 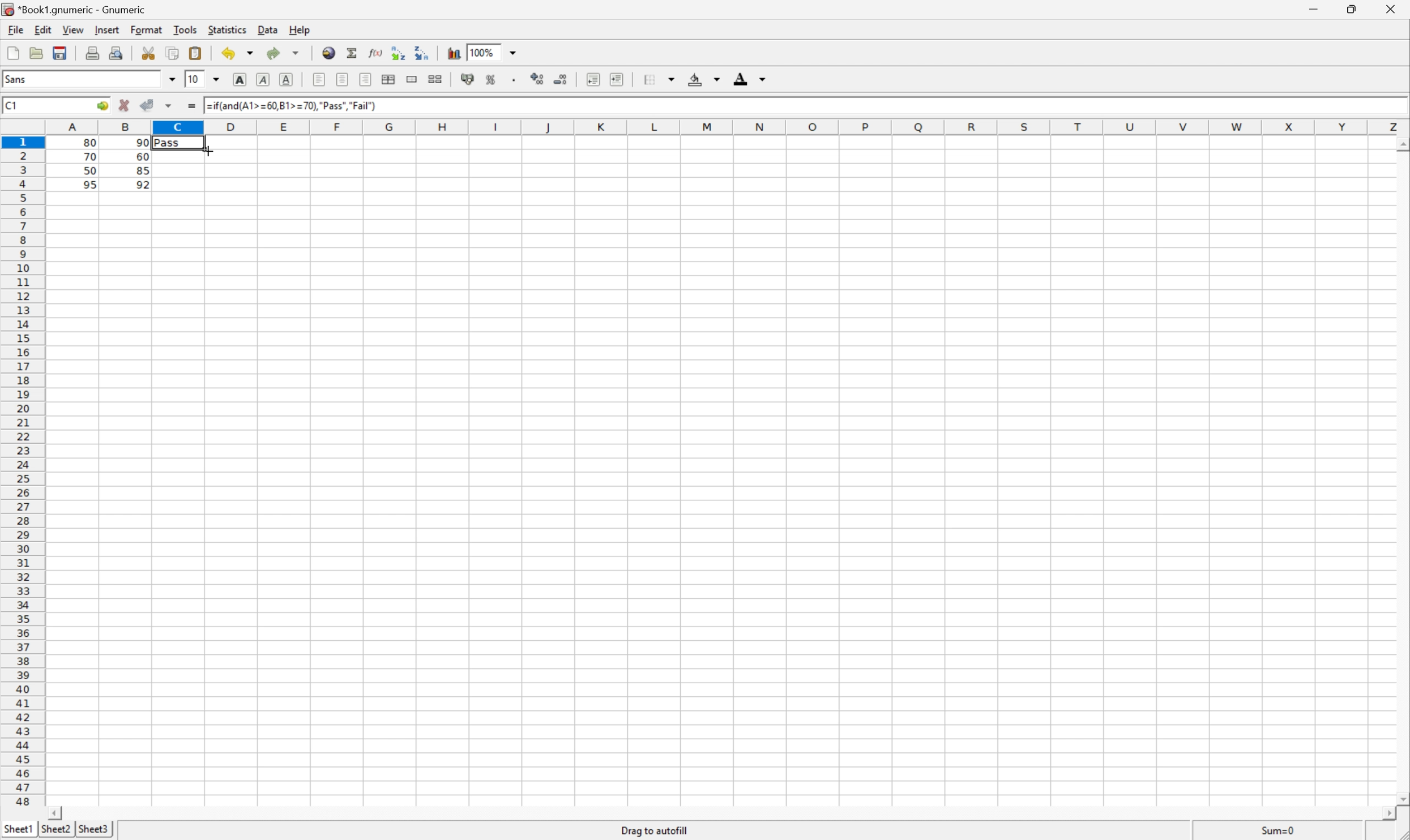 I want to click on Format the selection as accounting, so click(x=467, y=79).